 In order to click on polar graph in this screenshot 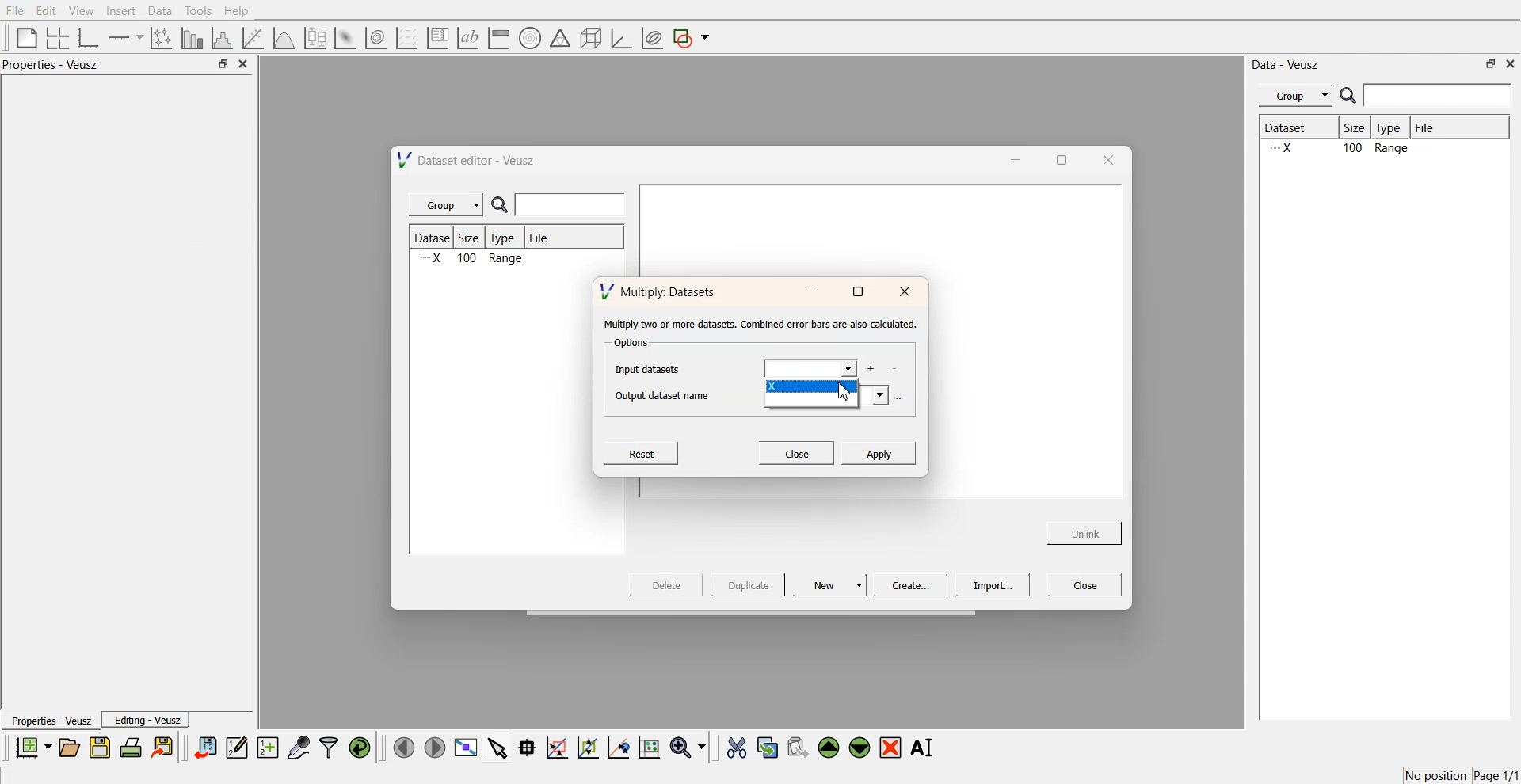, I will do `click(529, 40)`.